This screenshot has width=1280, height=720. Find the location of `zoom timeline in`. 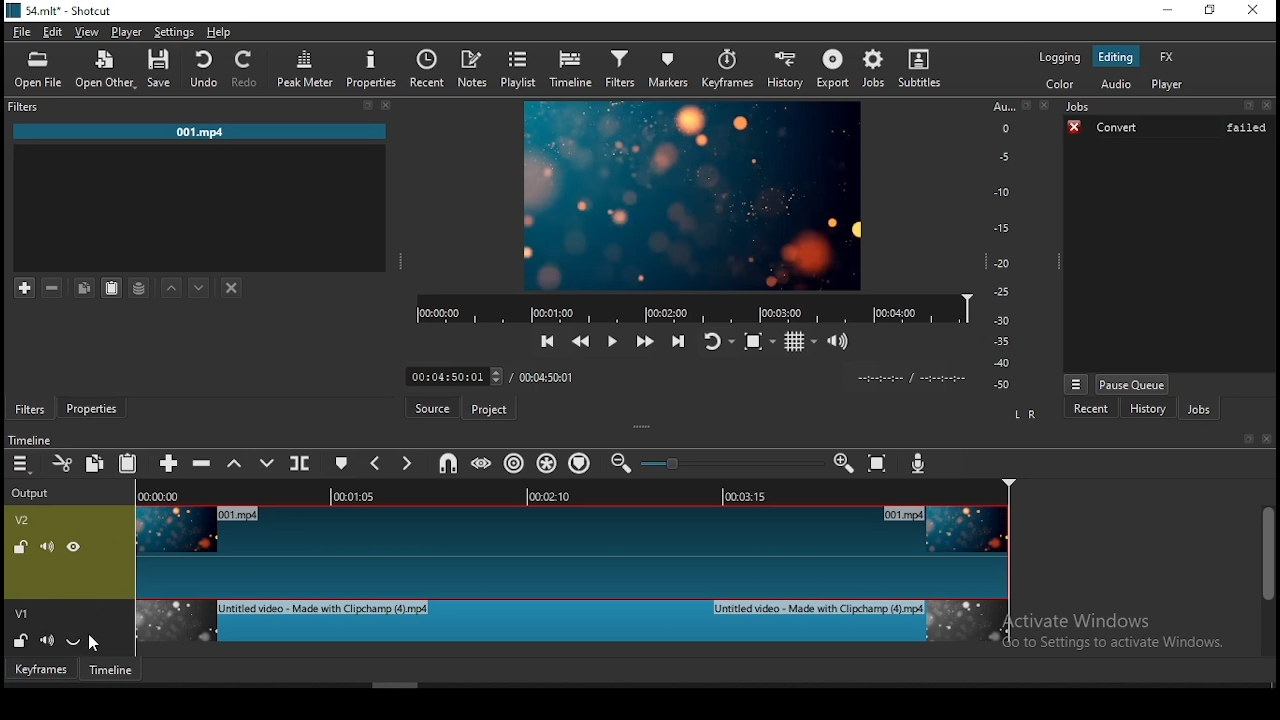

zoom timeline in is located at coordinates (620, 464).